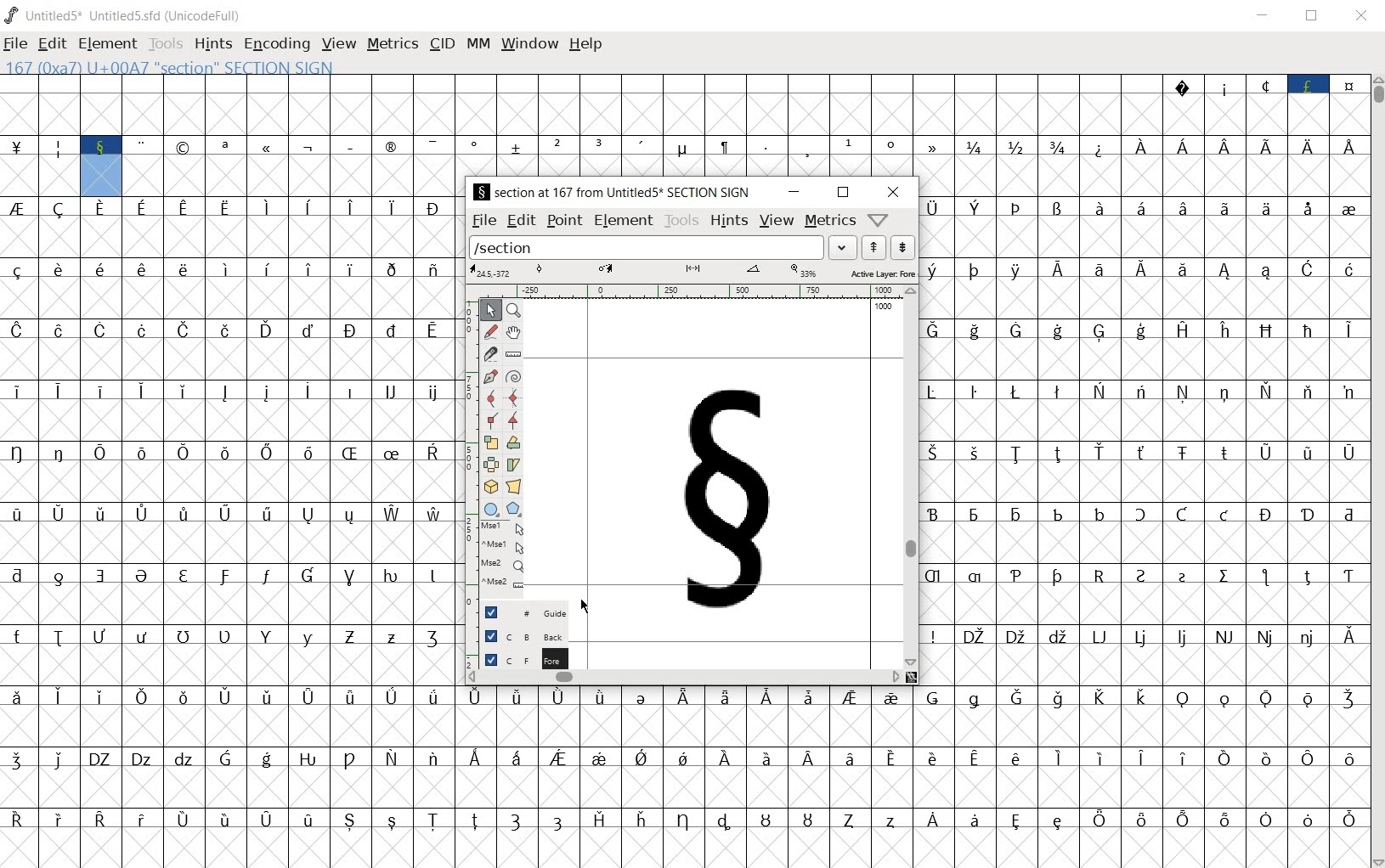 The image size is (1385, 868). What do you see at coordinates (885, 307) in the screenshot?
I see `1000` at bounding box center [885, 307].